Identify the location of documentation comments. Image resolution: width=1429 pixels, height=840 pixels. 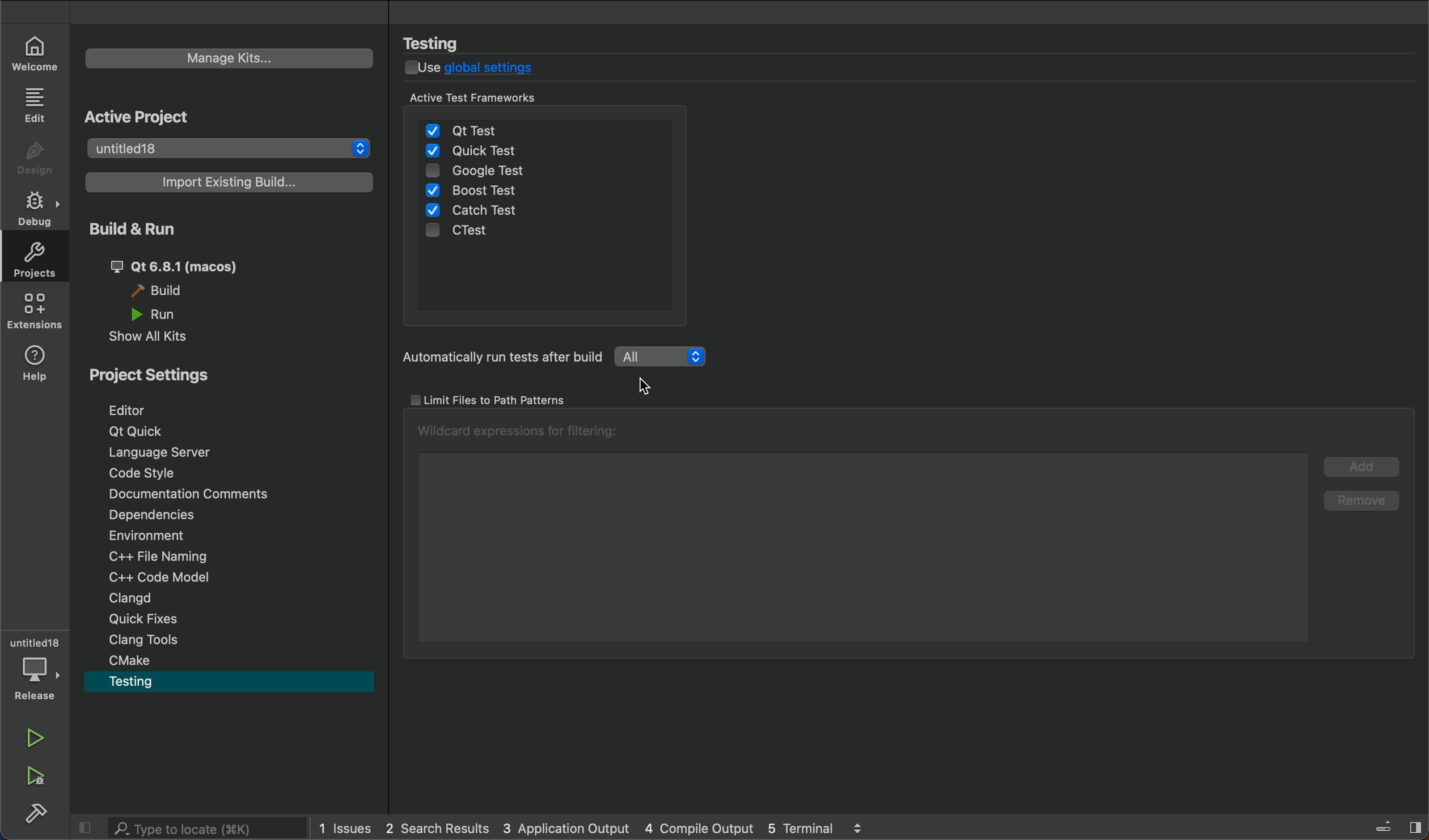
(193, 493).